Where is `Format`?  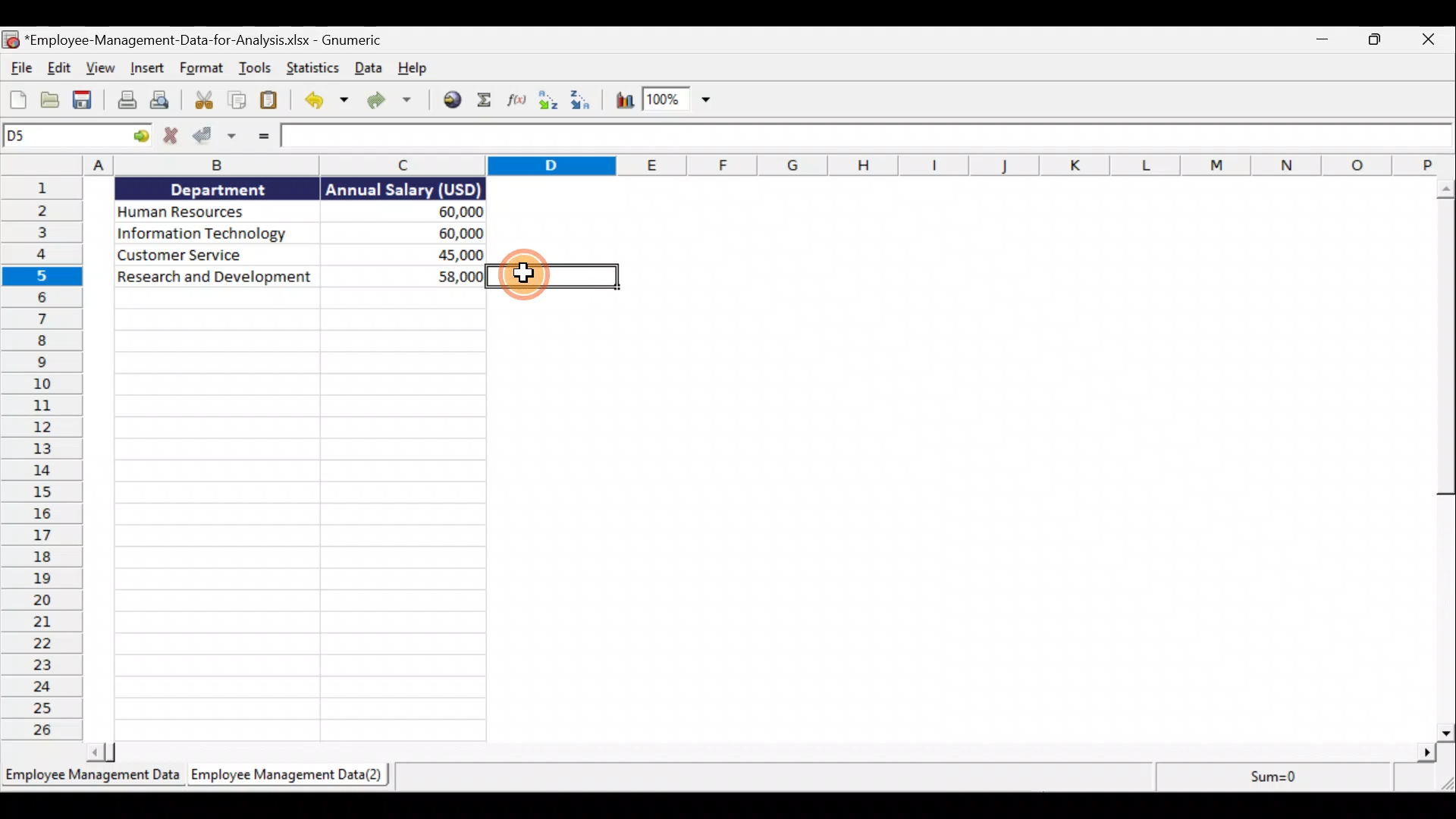
Format is located at coordinates (202, 69).